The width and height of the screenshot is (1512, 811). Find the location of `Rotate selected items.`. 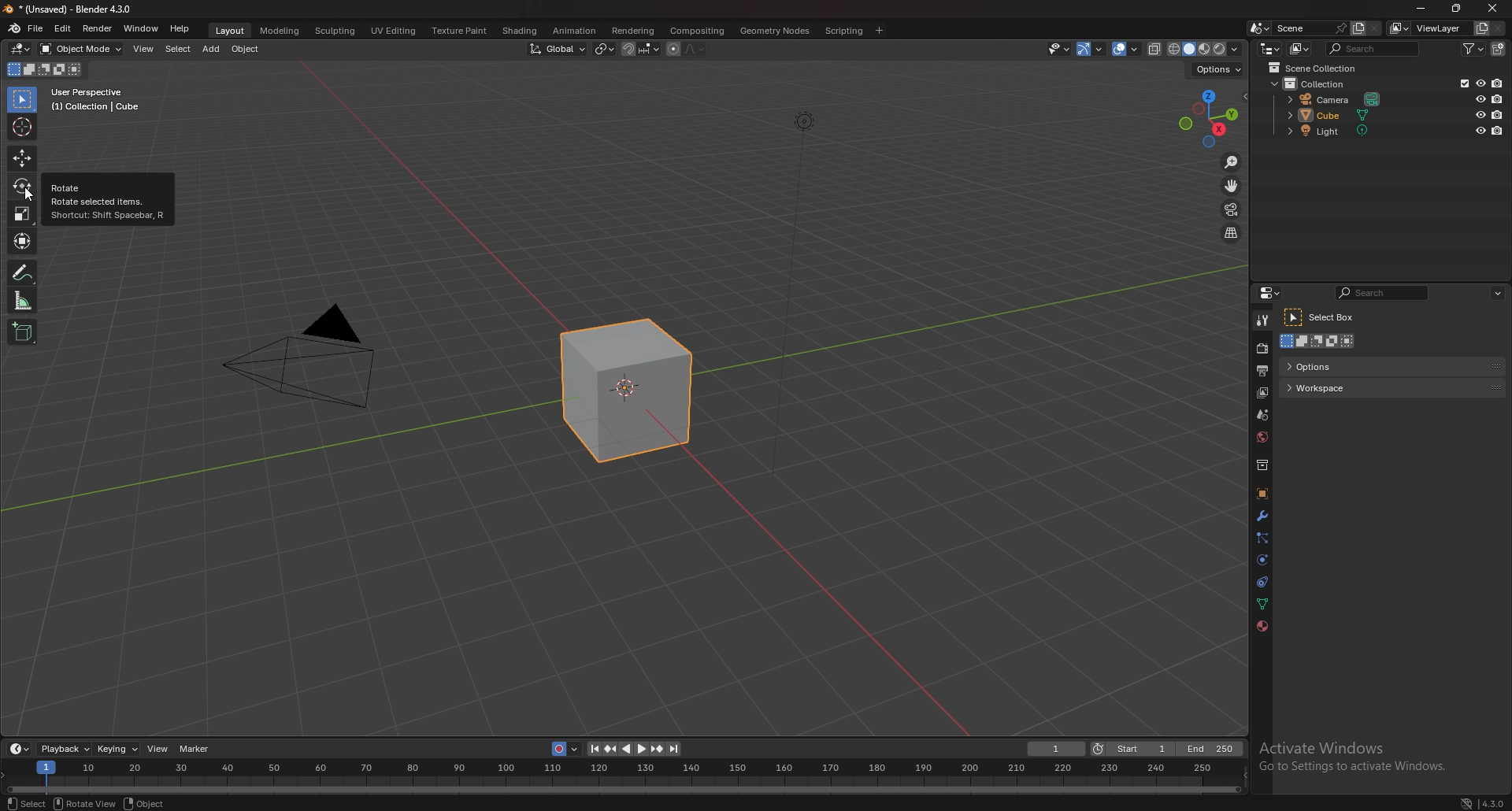

Rotate selected items. is located at coordinates (102, 202).